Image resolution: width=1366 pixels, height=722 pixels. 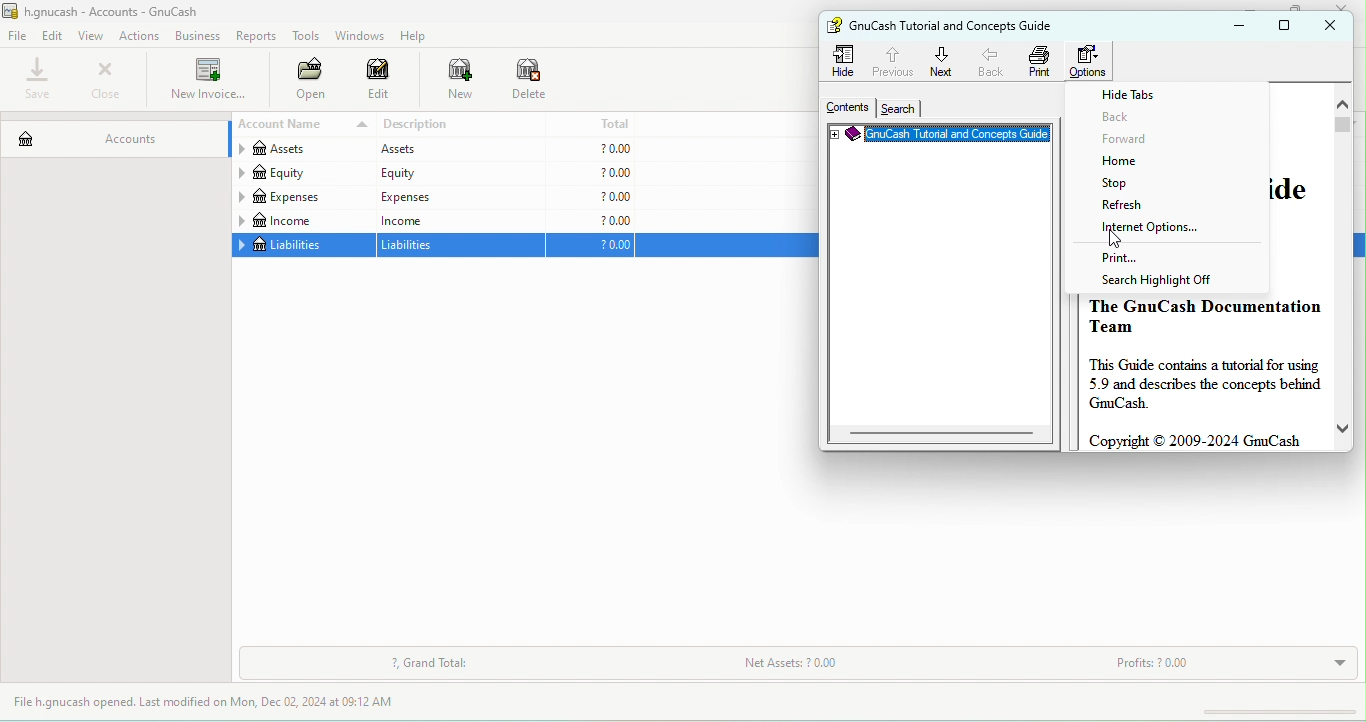 What do you see at coordinates (302, 246) in the screenshot?
I see `liabilities` at bounding box center [302, 246].